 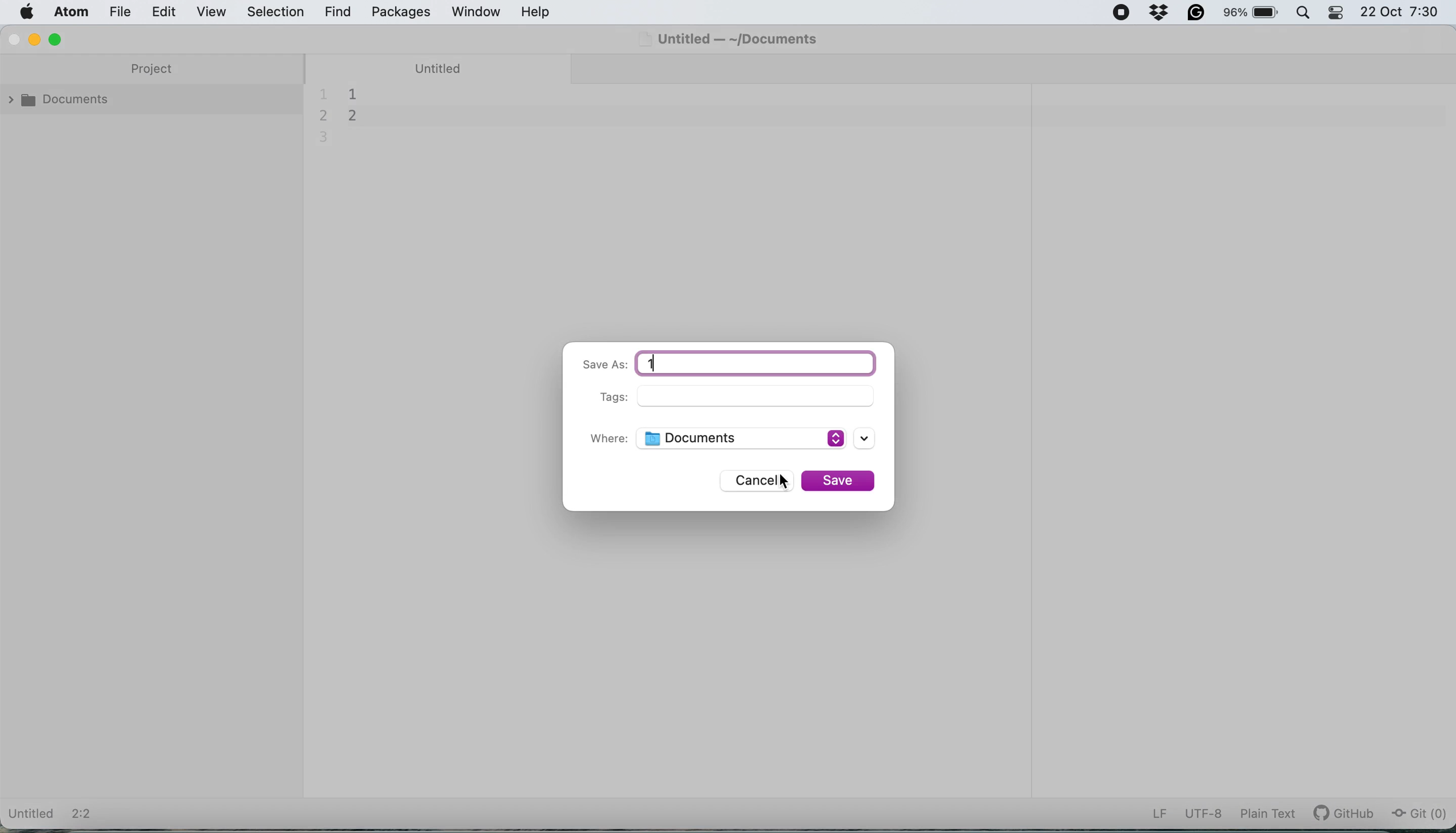 What do you see at coordinates (786, 481) in the screenshot?
I see `cursor` at bounding box center [786, 481].